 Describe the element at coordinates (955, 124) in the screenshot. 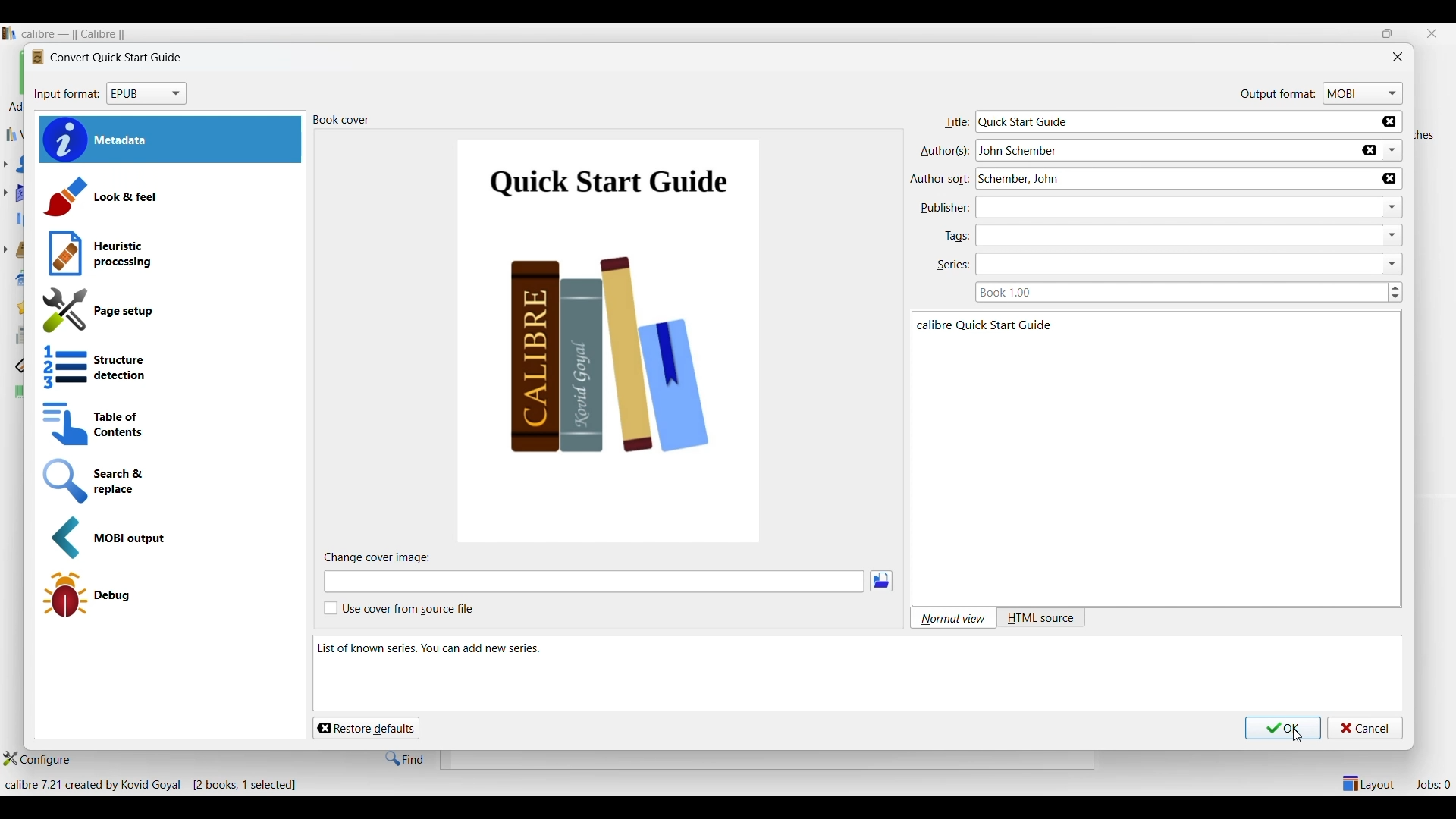

I see `title` at that location.